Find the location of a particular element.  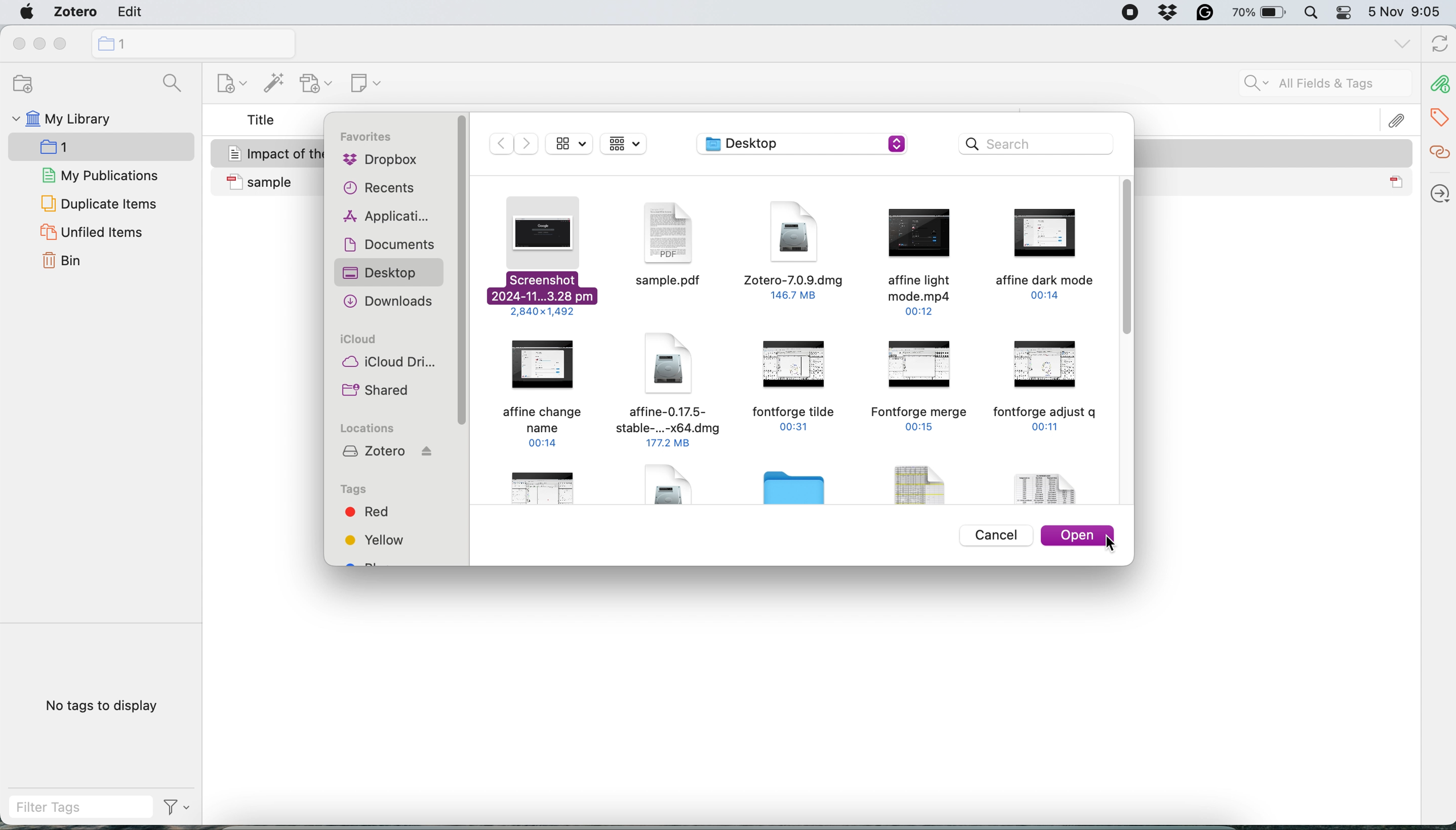

duplicate items is located at coordinates (99, 203).